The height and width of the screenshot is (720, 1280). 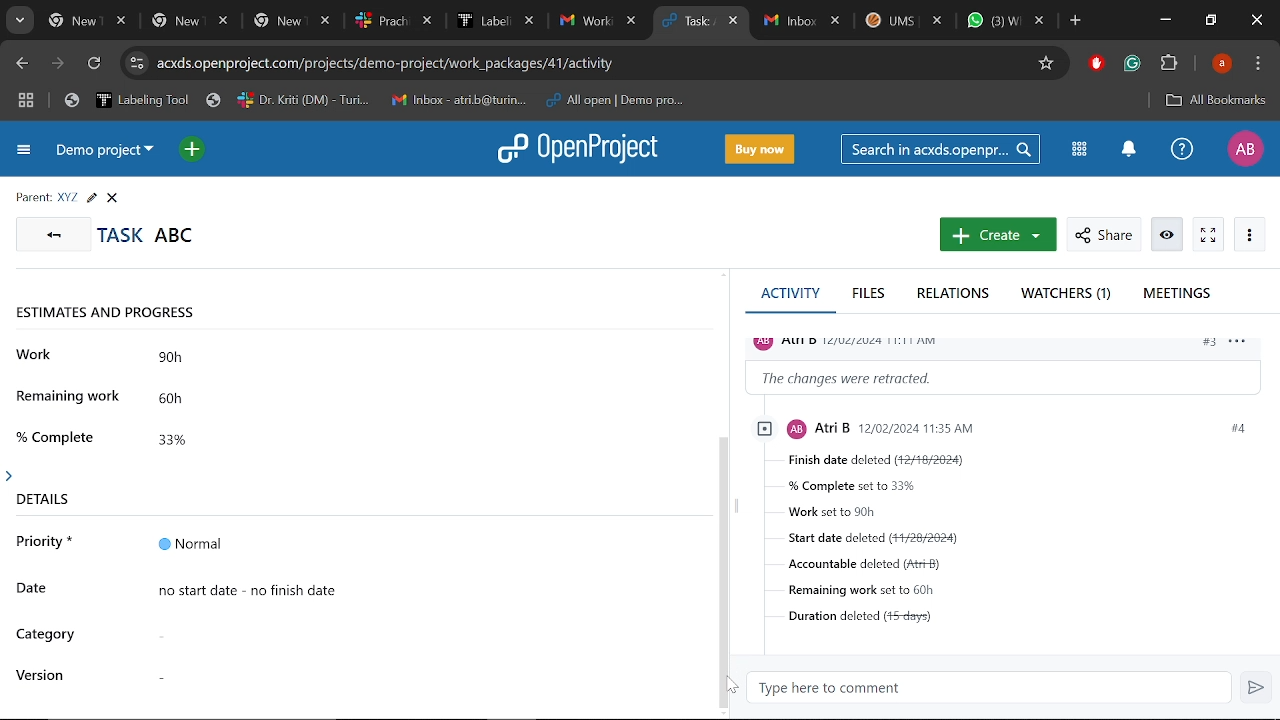 What do you see at coordinates (1128, 150) in the screenshot?
I see `Notifications` at bounding box center [1128, 150].